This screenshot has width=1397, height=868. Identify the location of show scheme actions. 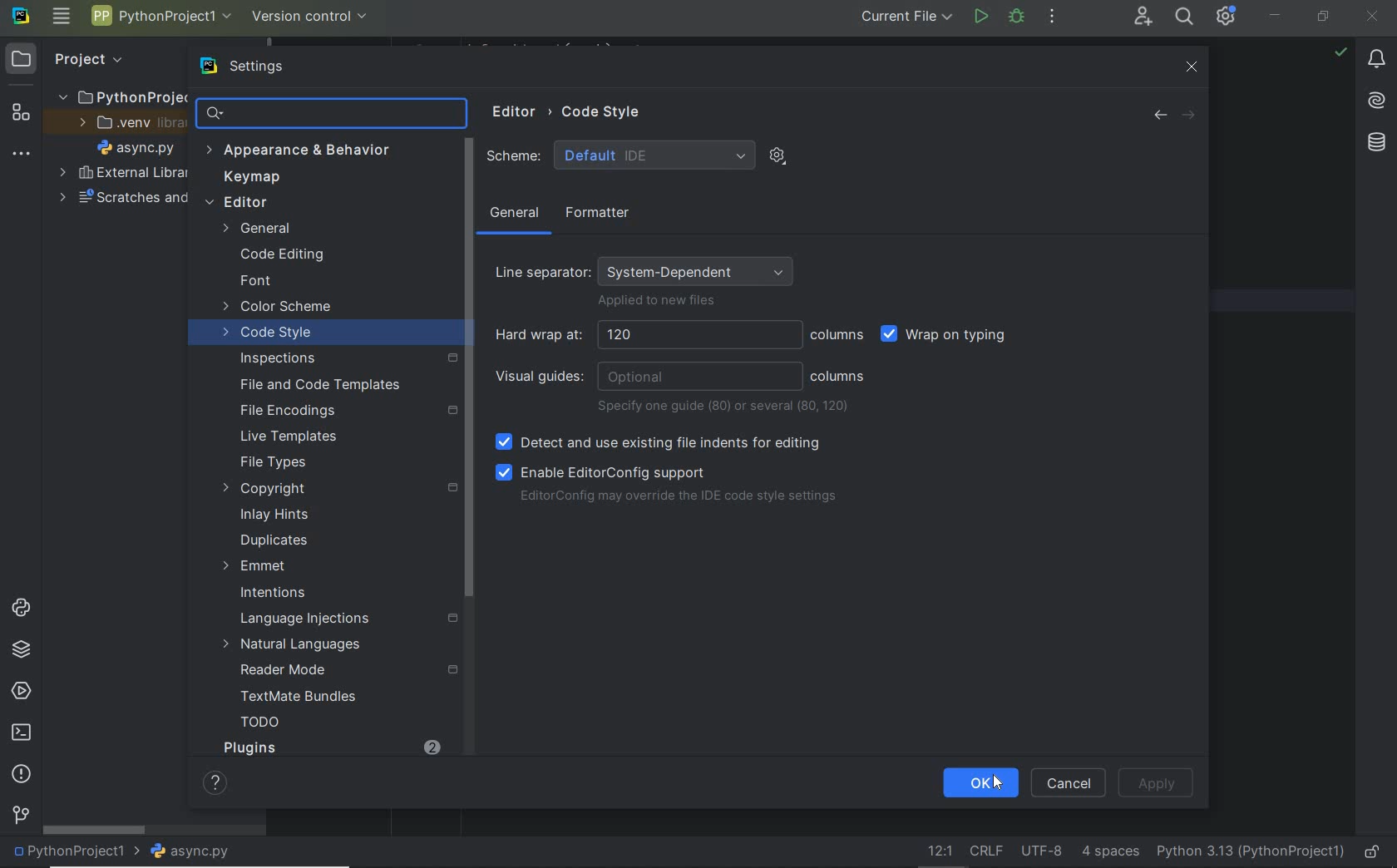
(777, 155).